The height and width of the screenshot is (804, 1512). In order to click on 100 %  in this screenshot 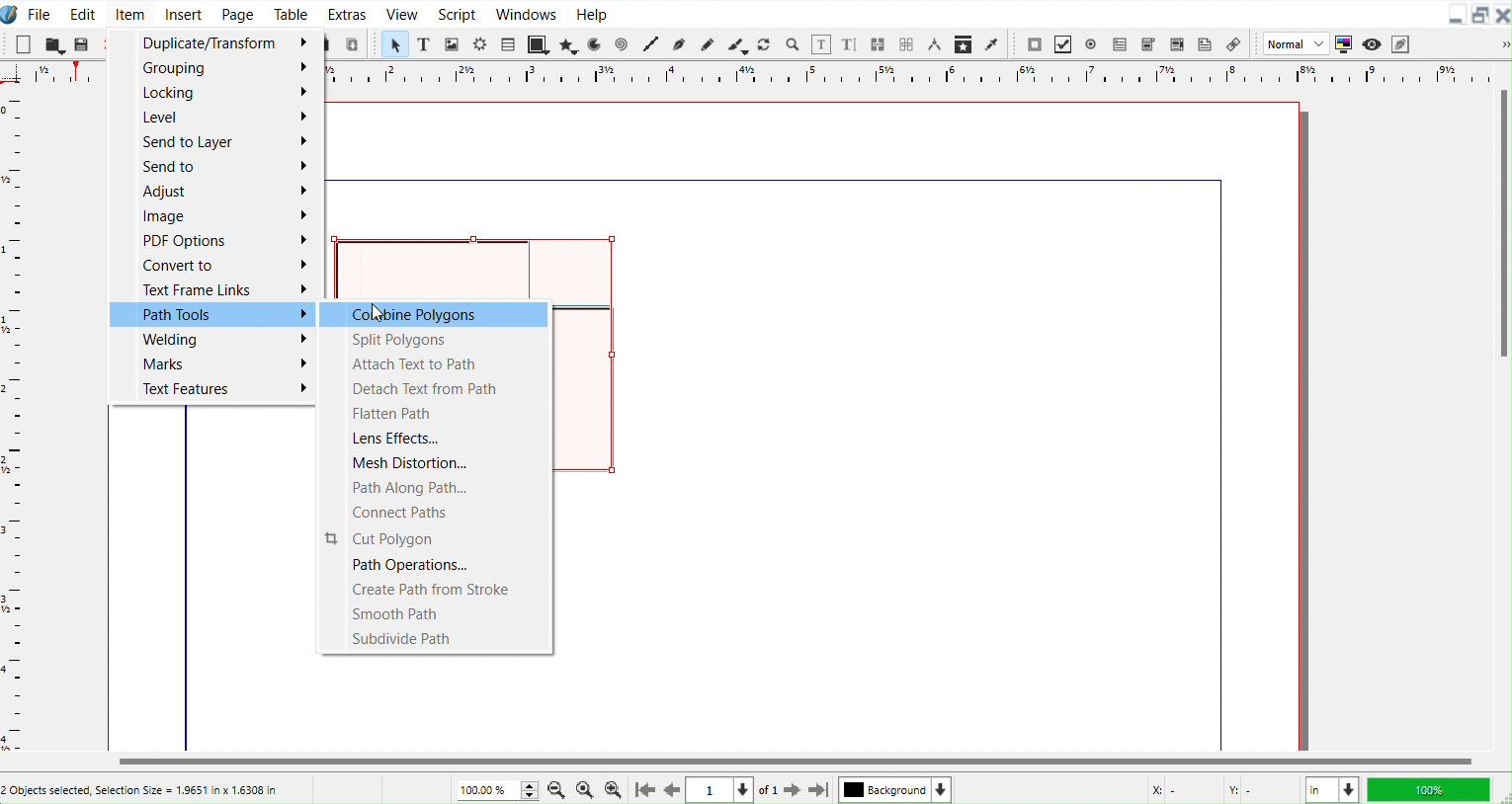, I will do `click(1432, 789)`.